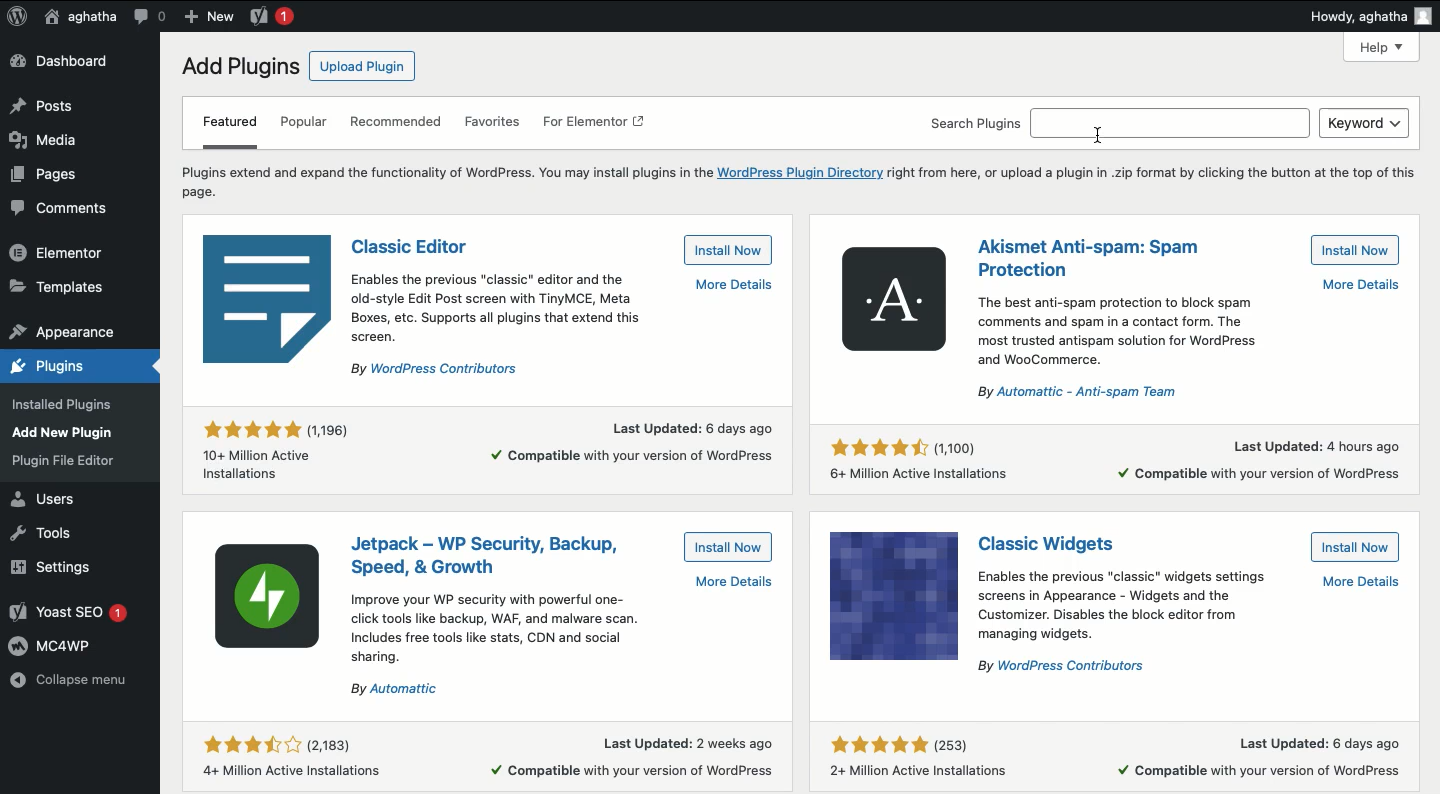 Image resolution: width=1440 pixels, height=794 pixels. Describe the element at coordinates (1055, 544) in the screenshot. I see `Plugin` at that location.